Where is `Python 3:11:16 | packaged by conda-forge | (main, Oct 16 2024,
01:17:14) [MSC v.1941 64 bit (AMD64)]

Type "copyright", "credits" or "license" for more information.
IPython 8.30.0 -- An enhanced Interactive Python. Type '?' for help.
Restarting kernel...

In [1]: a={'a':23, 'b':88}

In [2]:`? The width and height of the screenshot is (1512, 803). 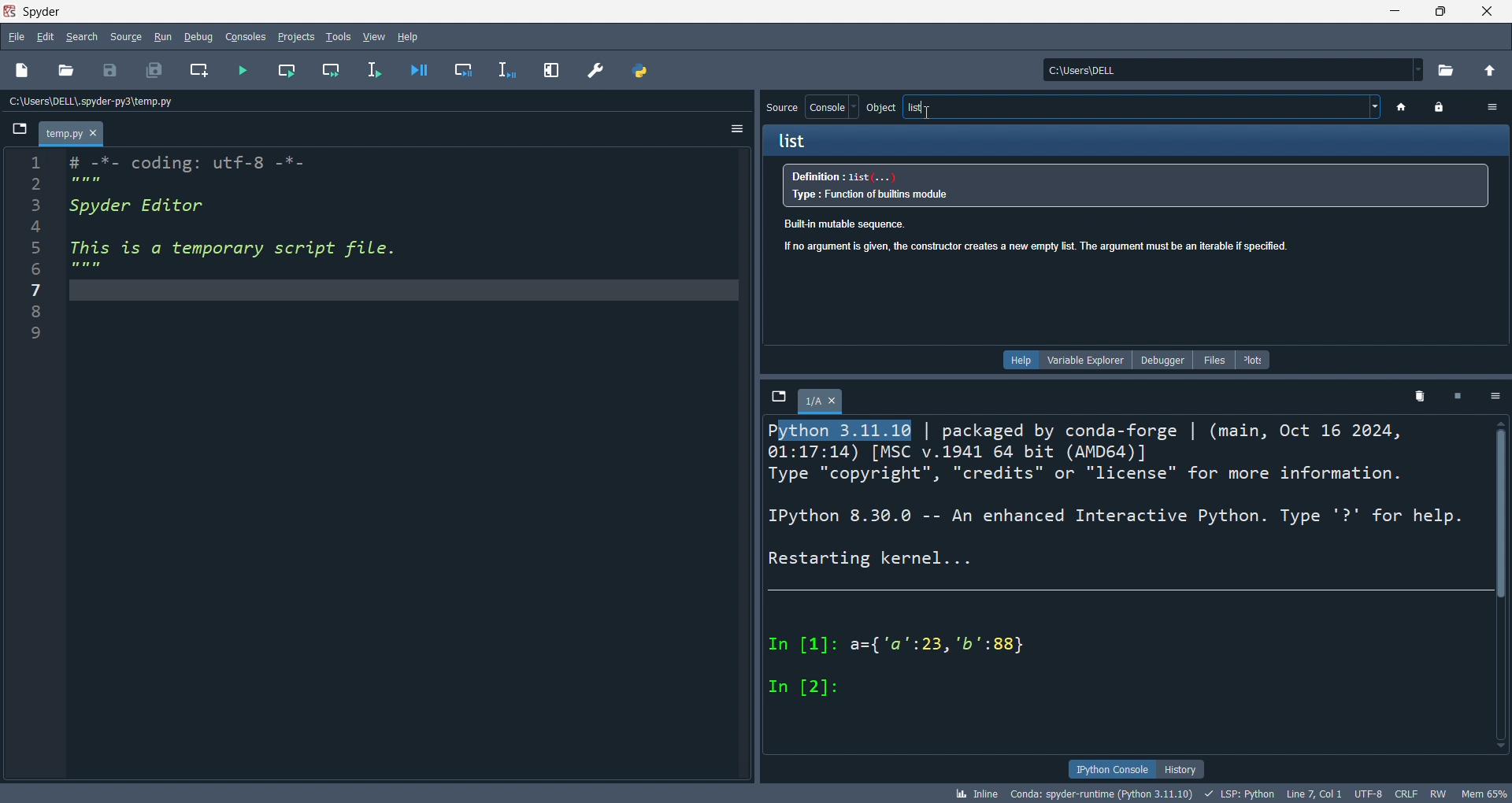 Python 3:11:16 | packaged by conda-forge | (main, Oct 16 2024,
01:17:14) [MSC v.1941 64 bit (AMD64)]

Type "copyright", "credits" or "license" for more information.
IPython 8.30.0 -- An enhanced Interactive Python. Type '?' for help.
Restarting kernel...

In [1]: a={'a':23, 'b':88}

In [2]: is located at coordinates (1118, 570).